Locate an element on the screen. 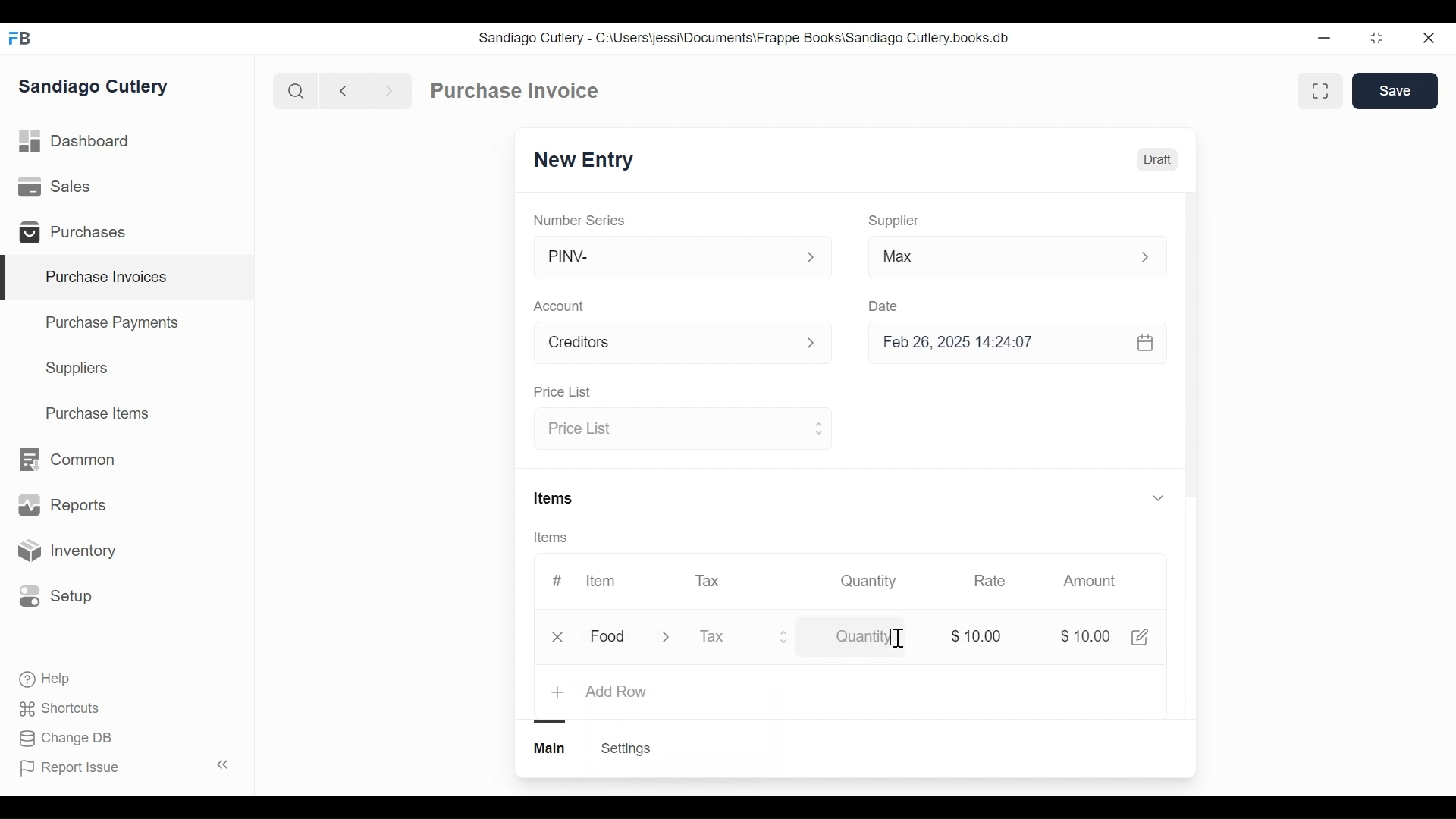 Image resolution: width=1456 pixels, height=819 pixels. Suppliers is located at coordinates (77, 369).